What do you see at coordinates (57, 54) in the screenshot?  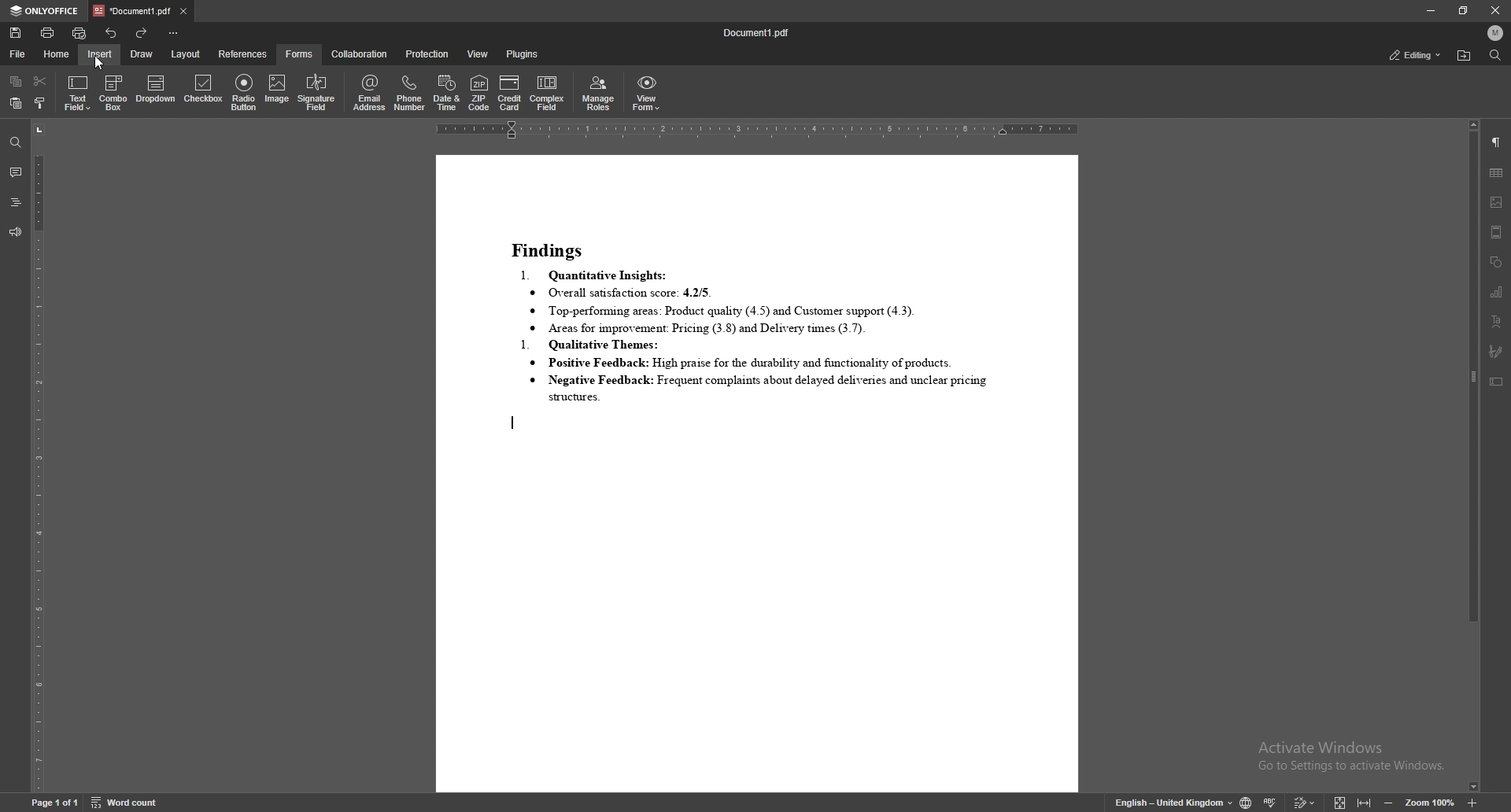 I see `home` at bounding box center [57, 54].